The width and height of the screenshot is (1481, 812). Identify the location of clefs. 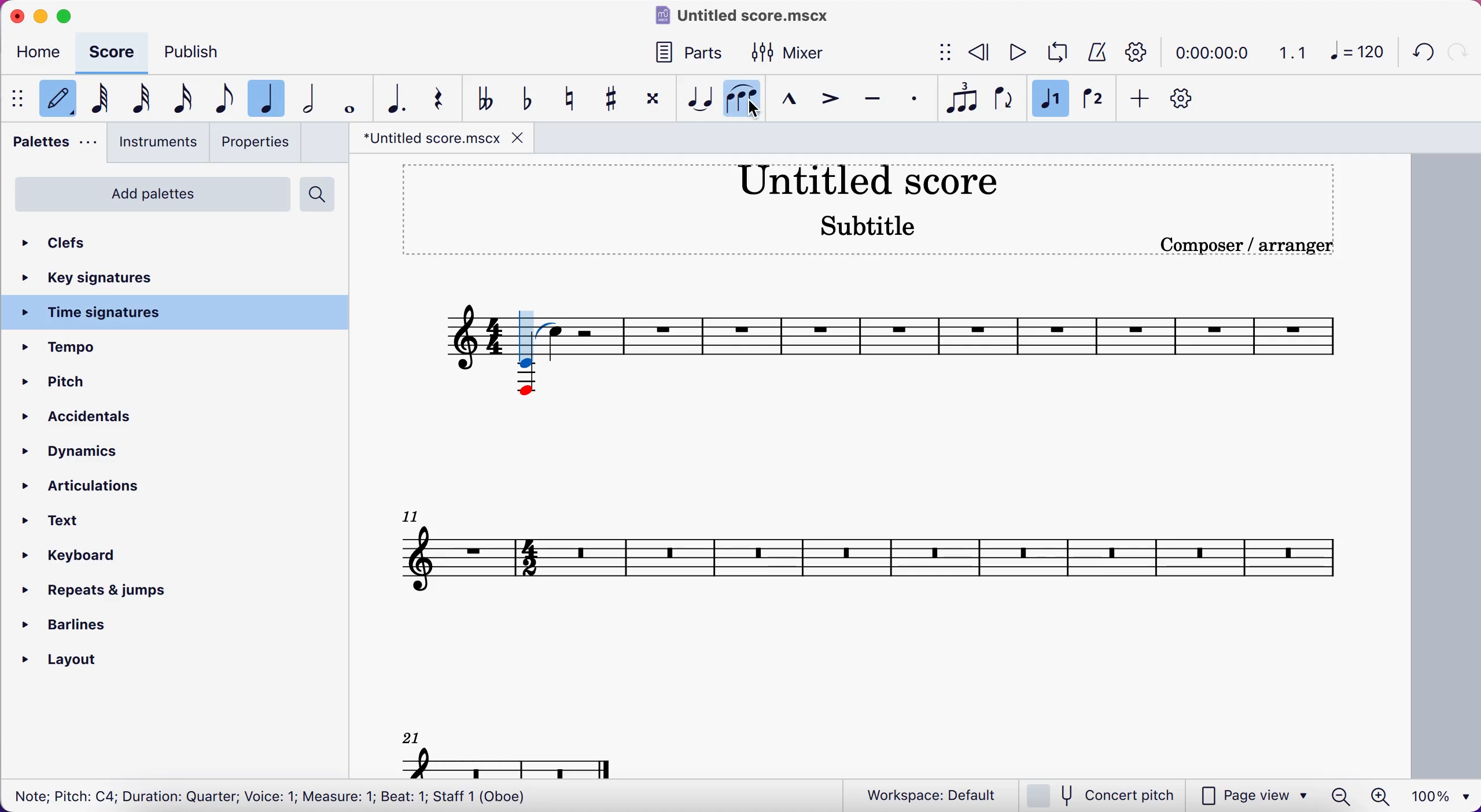
(111, 243).